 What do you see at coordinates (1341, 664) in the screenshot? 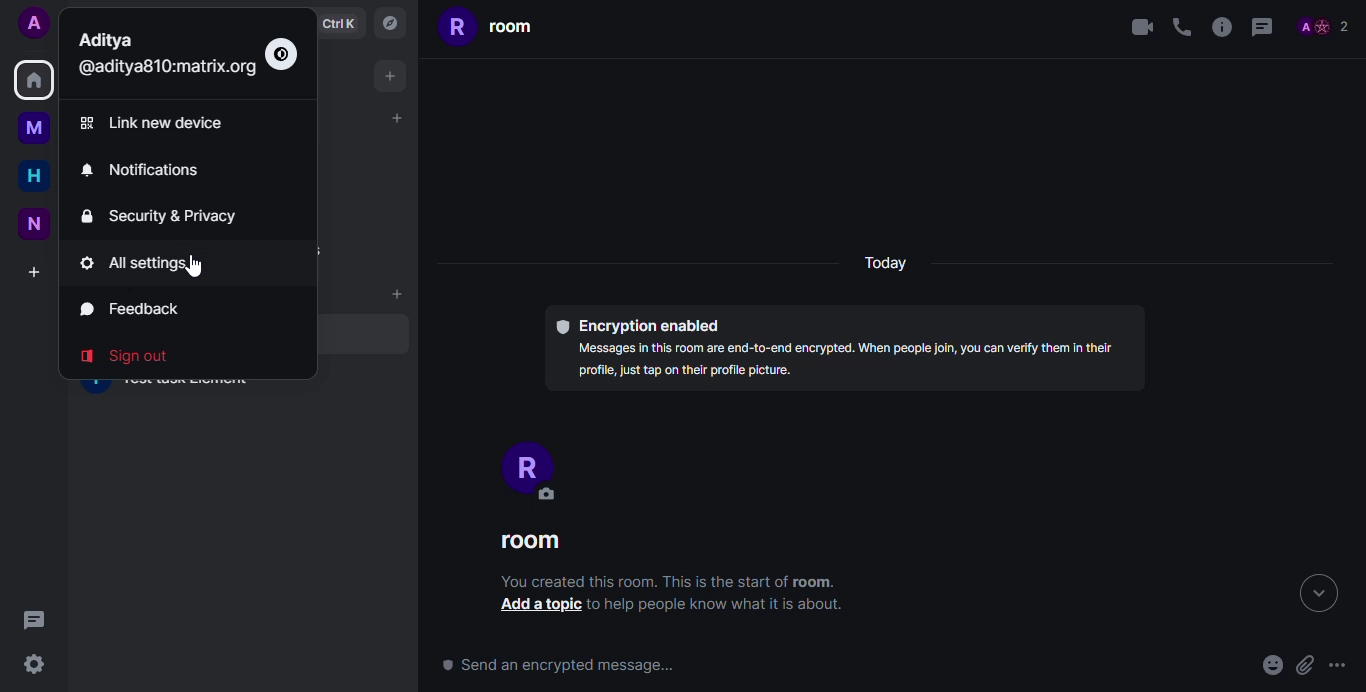
I see `Ellipsis` at bounding box center [1341, 664].